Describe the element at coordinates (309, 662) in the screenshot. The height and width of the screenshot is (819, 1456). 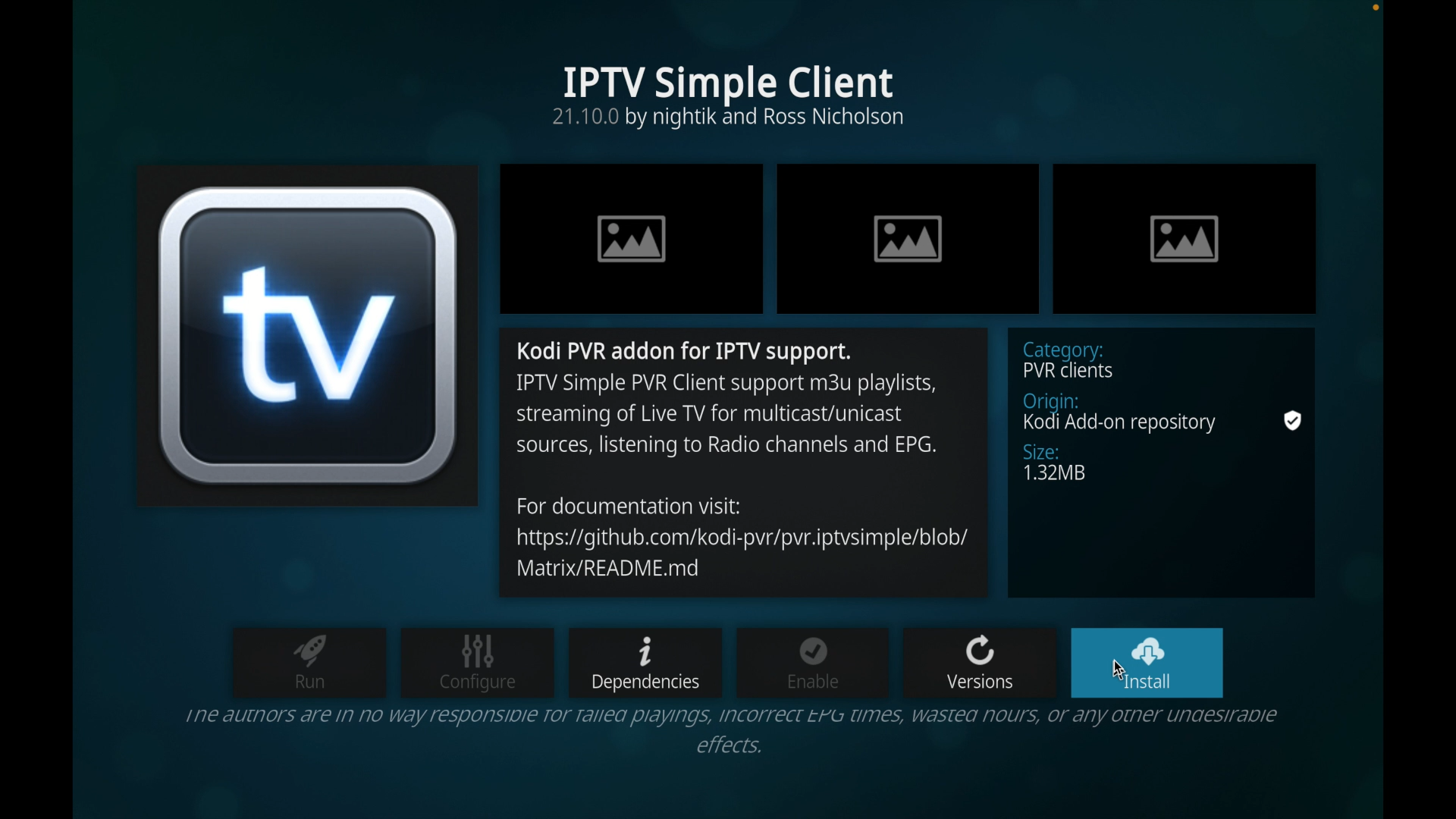
I see `run` at that location.